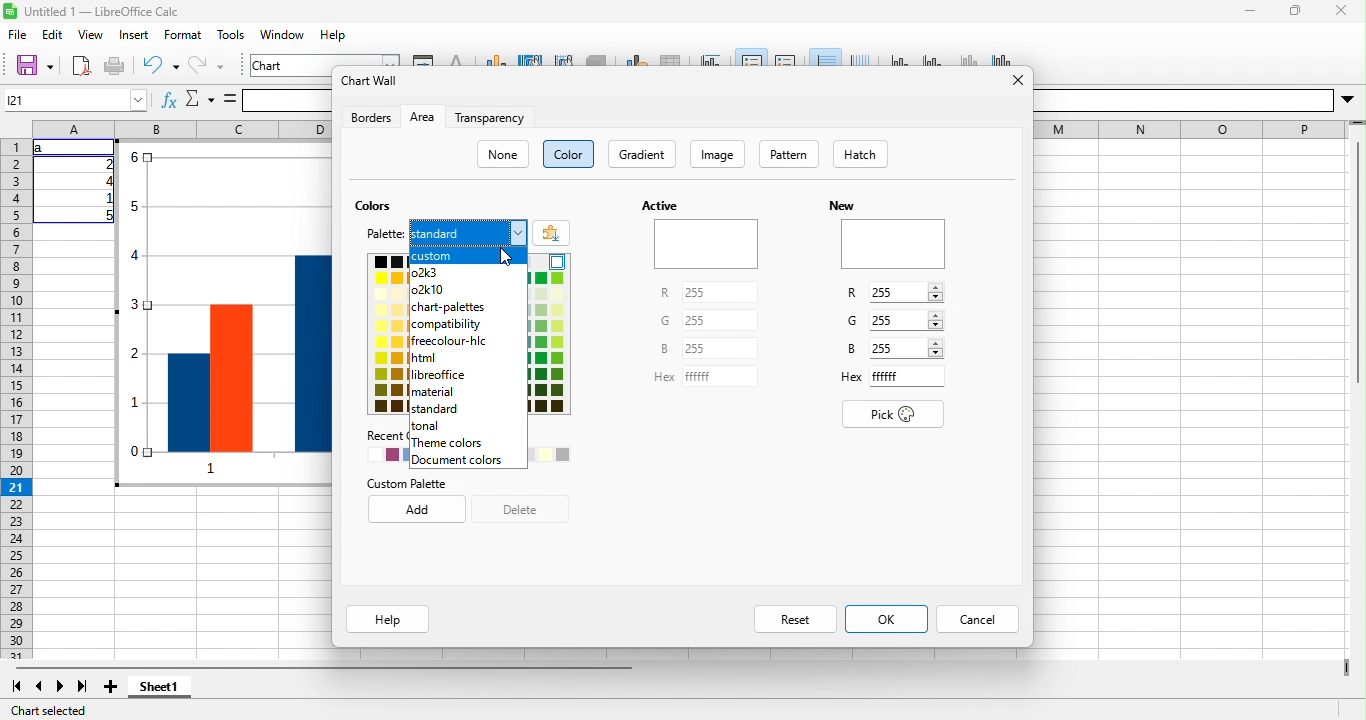  What do you see at coordinates (720, 376) in the screenshot?
I see `Input for Hex` at bounding box center [720, 376].